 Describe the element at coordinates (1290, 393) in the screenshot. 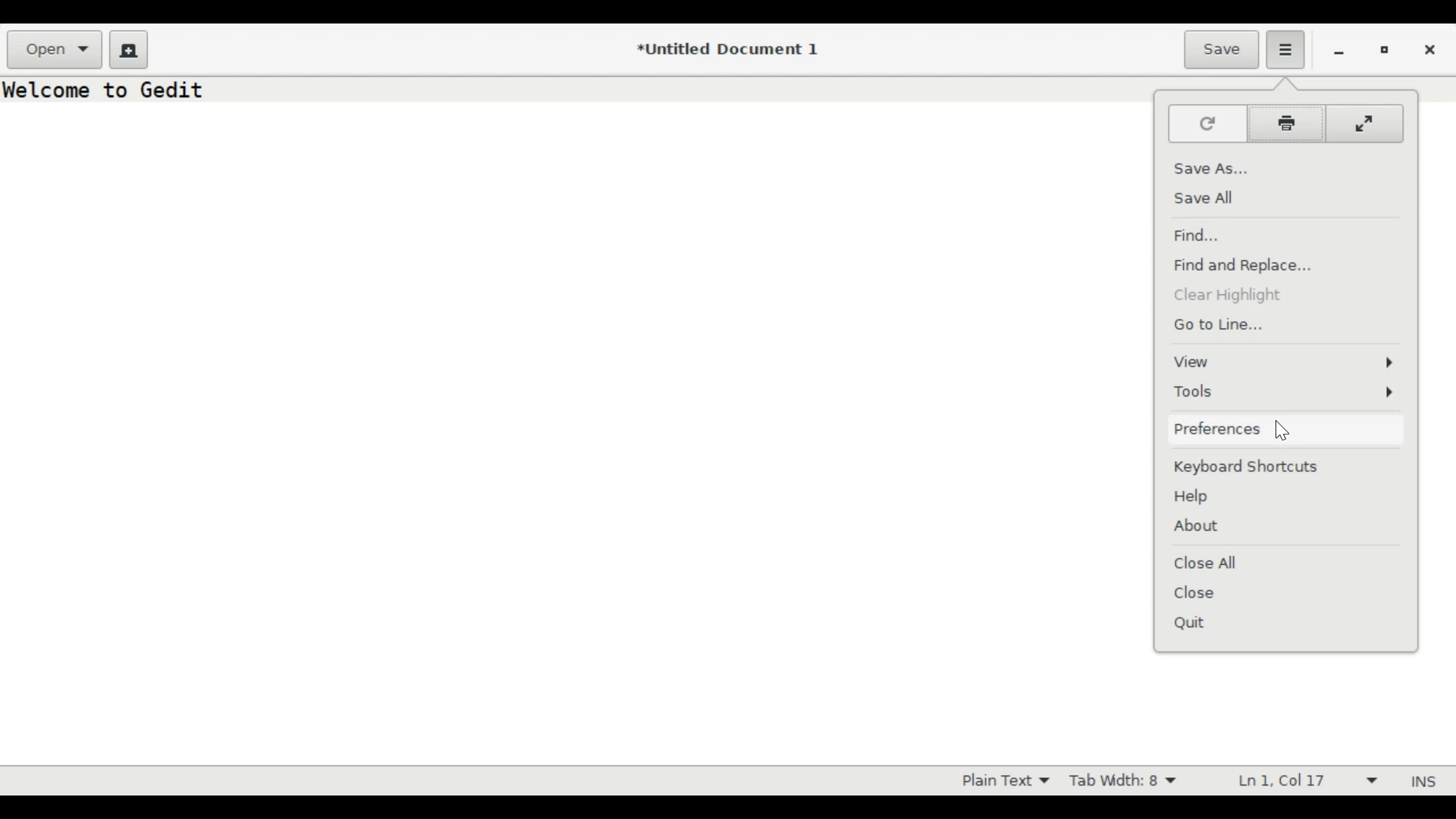

I see `Tools` at that location.